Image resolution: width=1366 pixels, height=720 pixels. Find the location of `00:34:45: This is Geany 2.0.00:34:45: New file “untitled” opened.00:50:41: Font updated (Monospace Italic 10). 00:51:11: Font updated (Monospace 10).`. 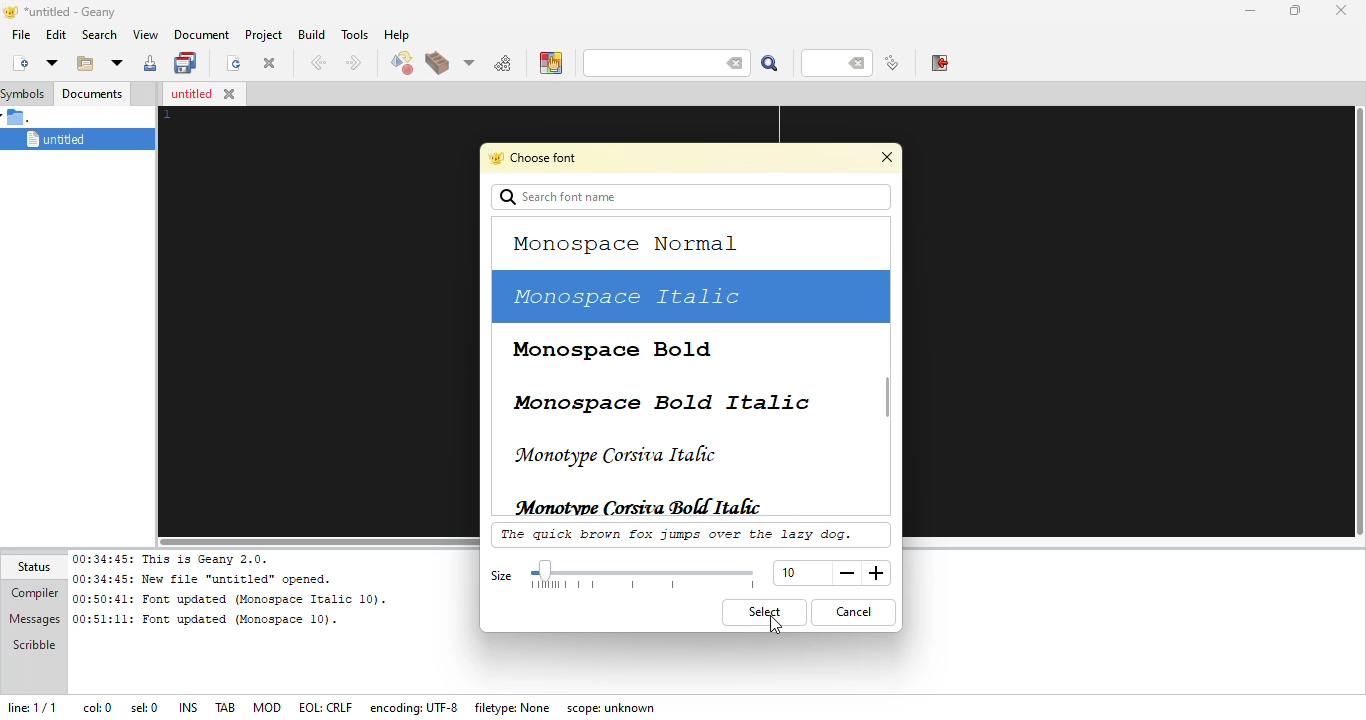

00:34:45: This is Geany 2.0.00:34:45: New file “untitled” opened.00:50:41: Font updated (Monospace Italic 10). 00:51:11: Font updated (Monospace 10). is located at coordinates (228, 589).